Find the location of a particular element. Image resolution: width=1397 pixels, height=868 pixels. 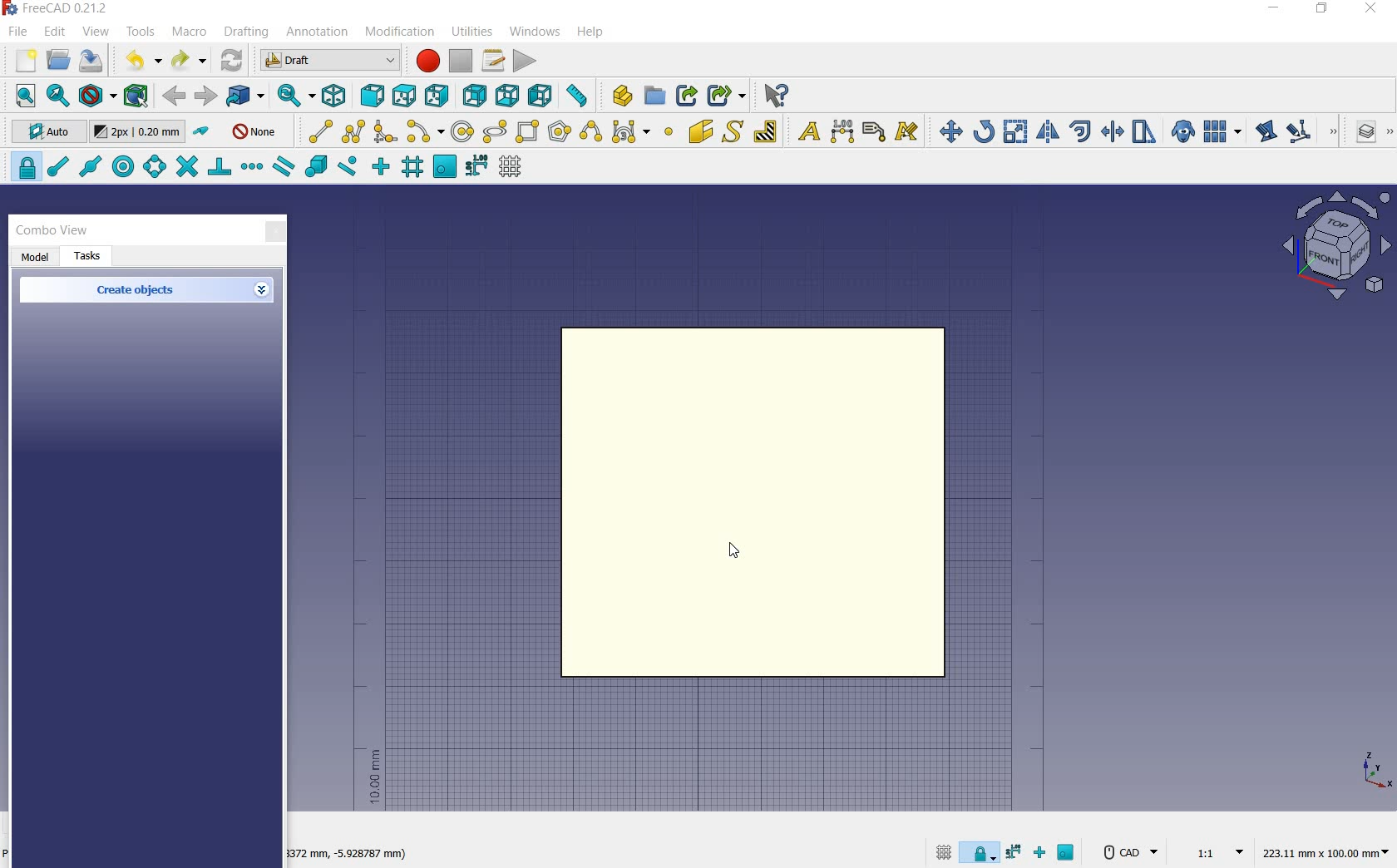

hatch is located at coordinates (766, 131).